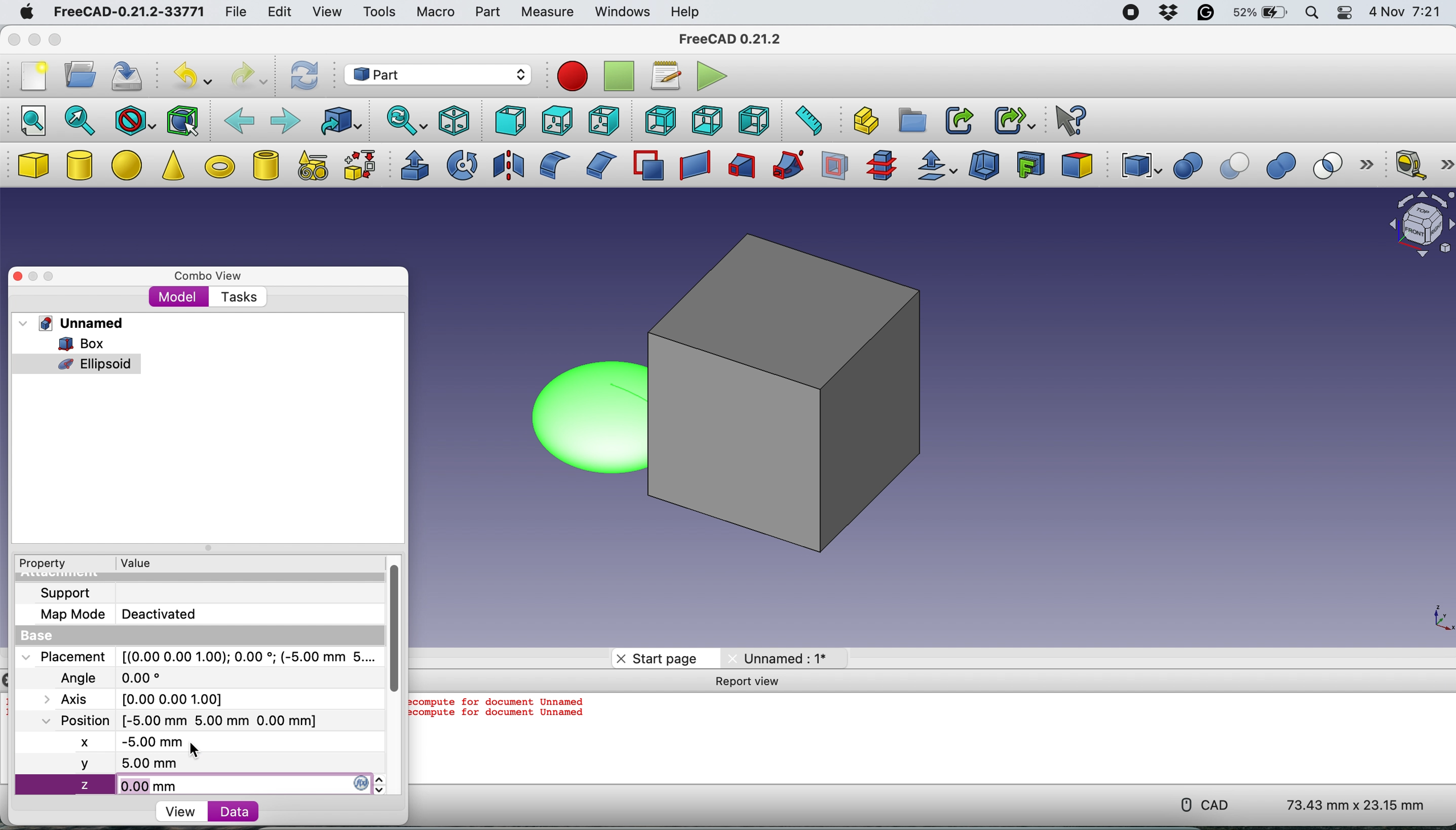  I want to click on unnamed, so click(71, 323).